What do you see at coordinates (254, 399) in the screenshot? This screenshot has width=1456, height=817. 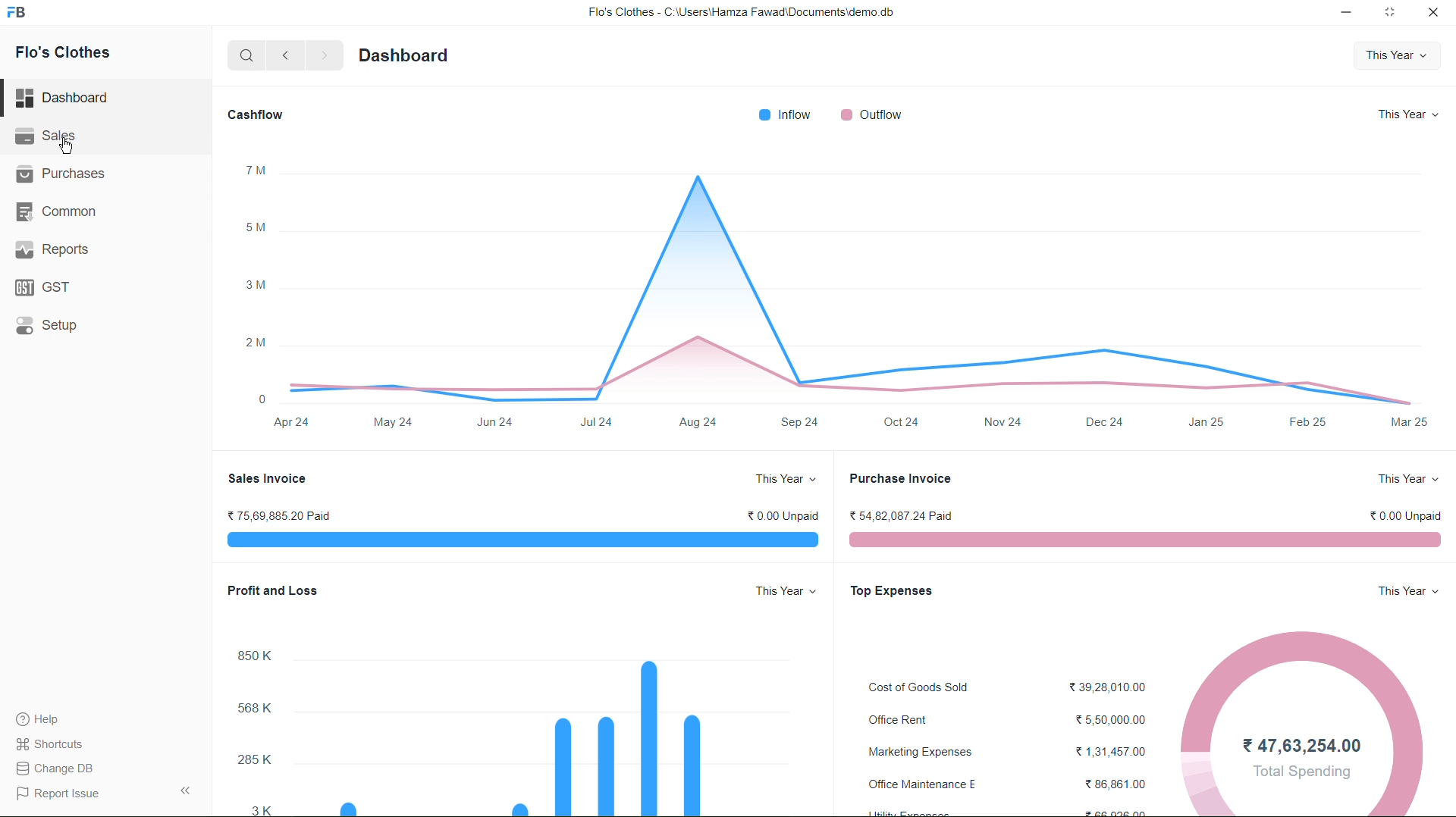 I see `0` at bounding box center [254, 399].